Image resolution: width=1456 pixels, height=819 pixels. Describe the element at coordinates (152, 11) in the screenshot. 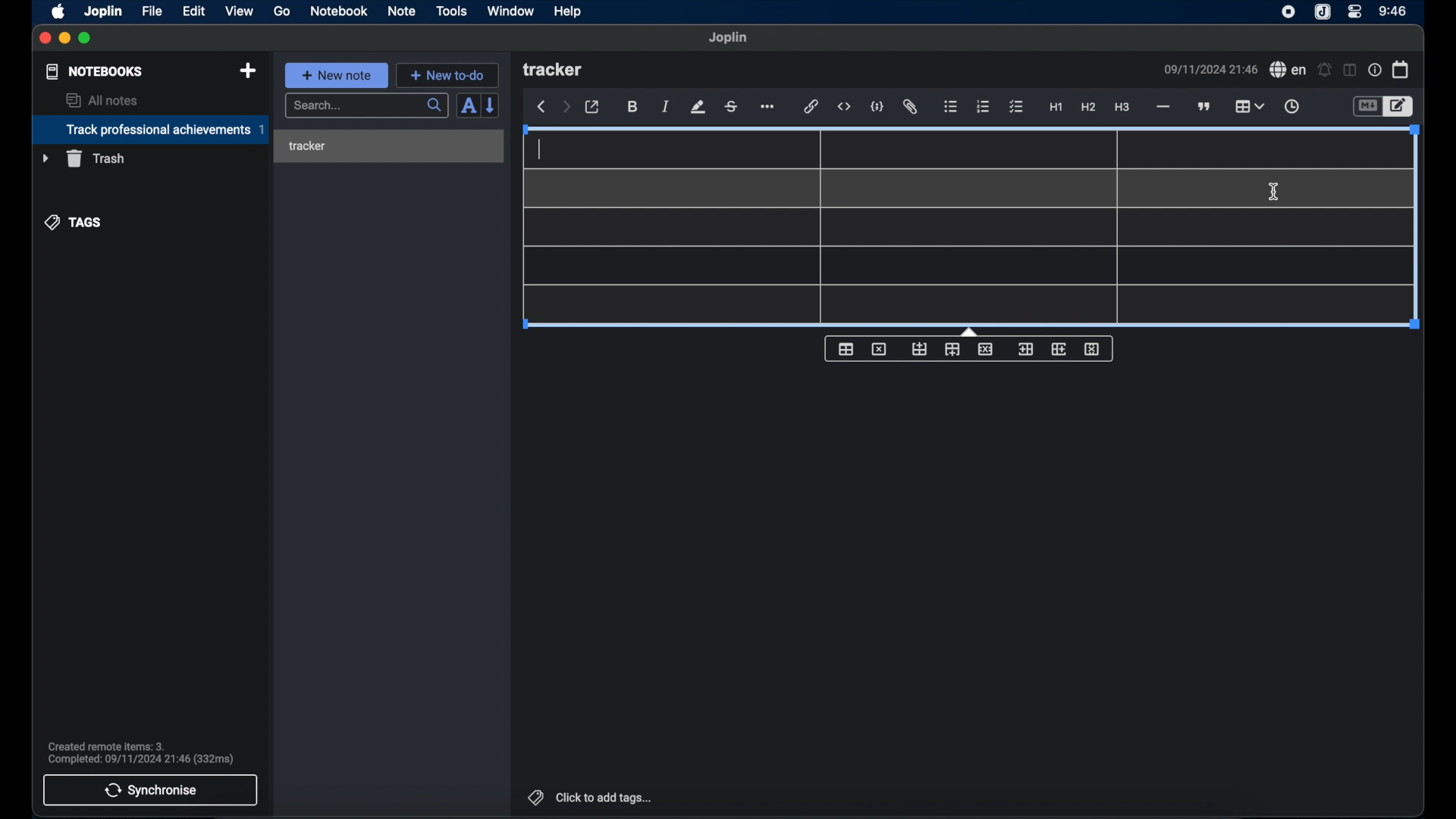

I see `file` at that location.